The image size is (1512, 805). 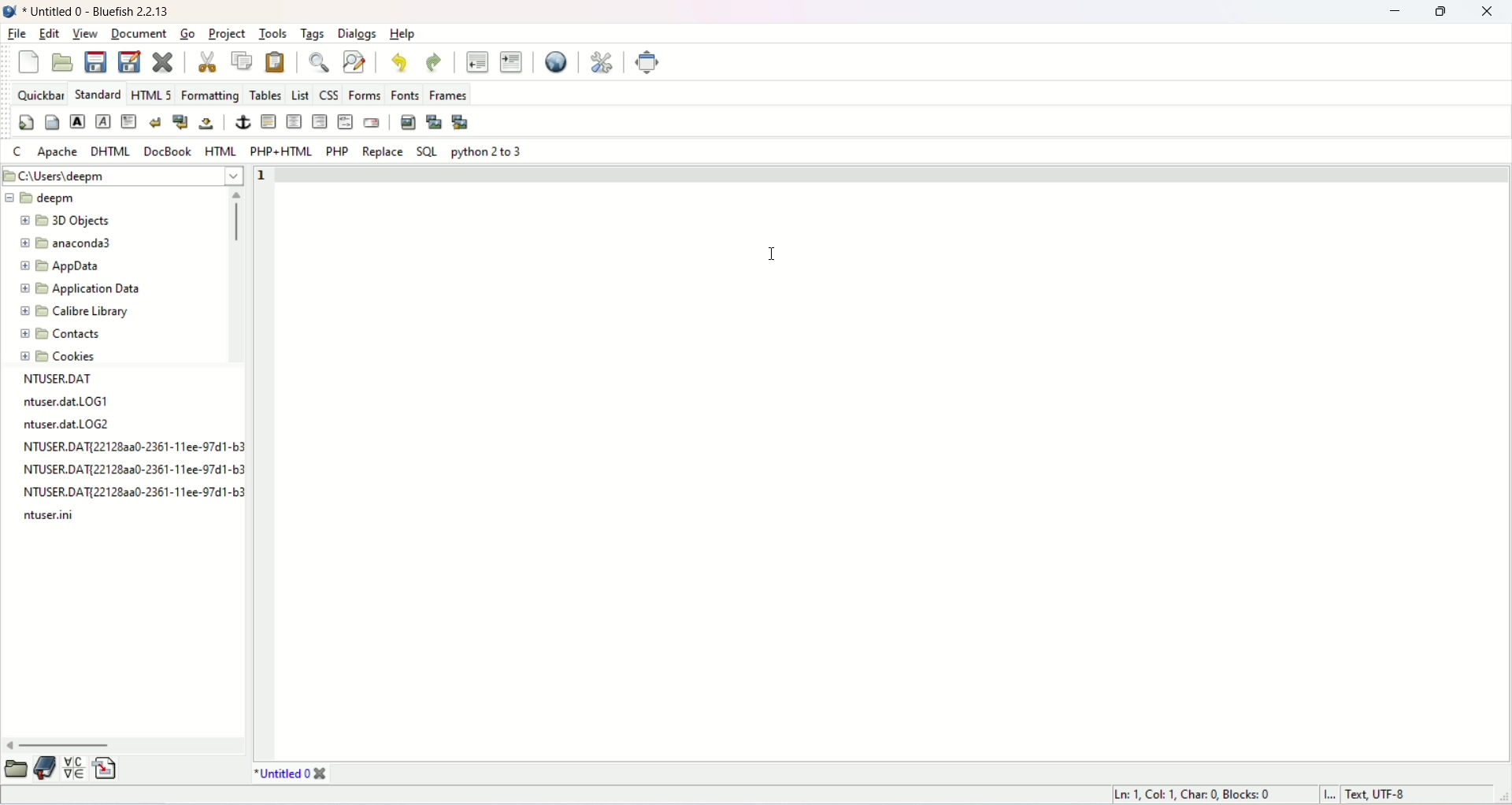 What do you see at coordinates (78, 124) in the screenshot?
I see `strong` at bounding box center [78, 124].